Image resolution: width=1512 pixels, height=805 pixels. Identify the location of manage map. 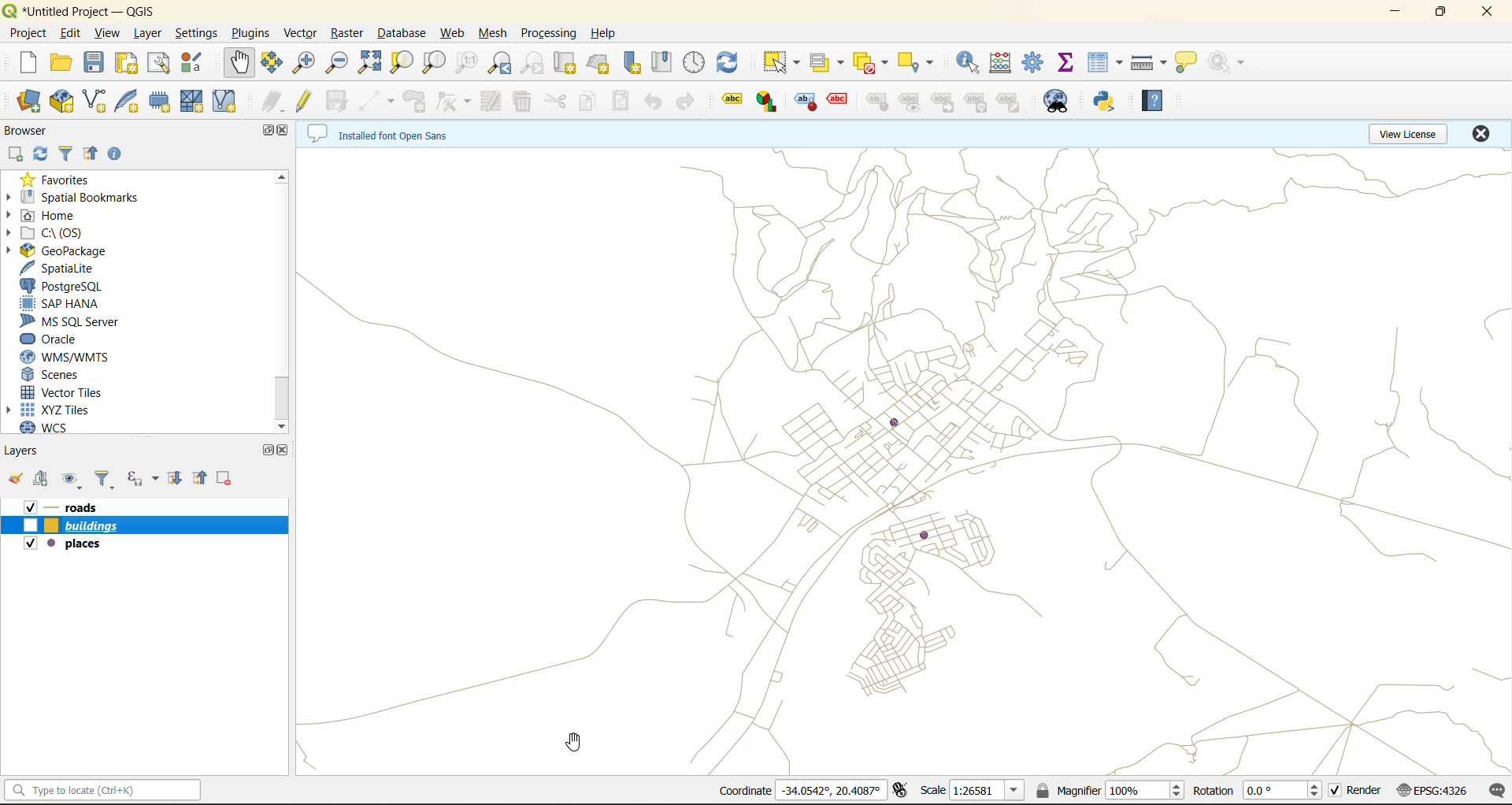
(71, 478).